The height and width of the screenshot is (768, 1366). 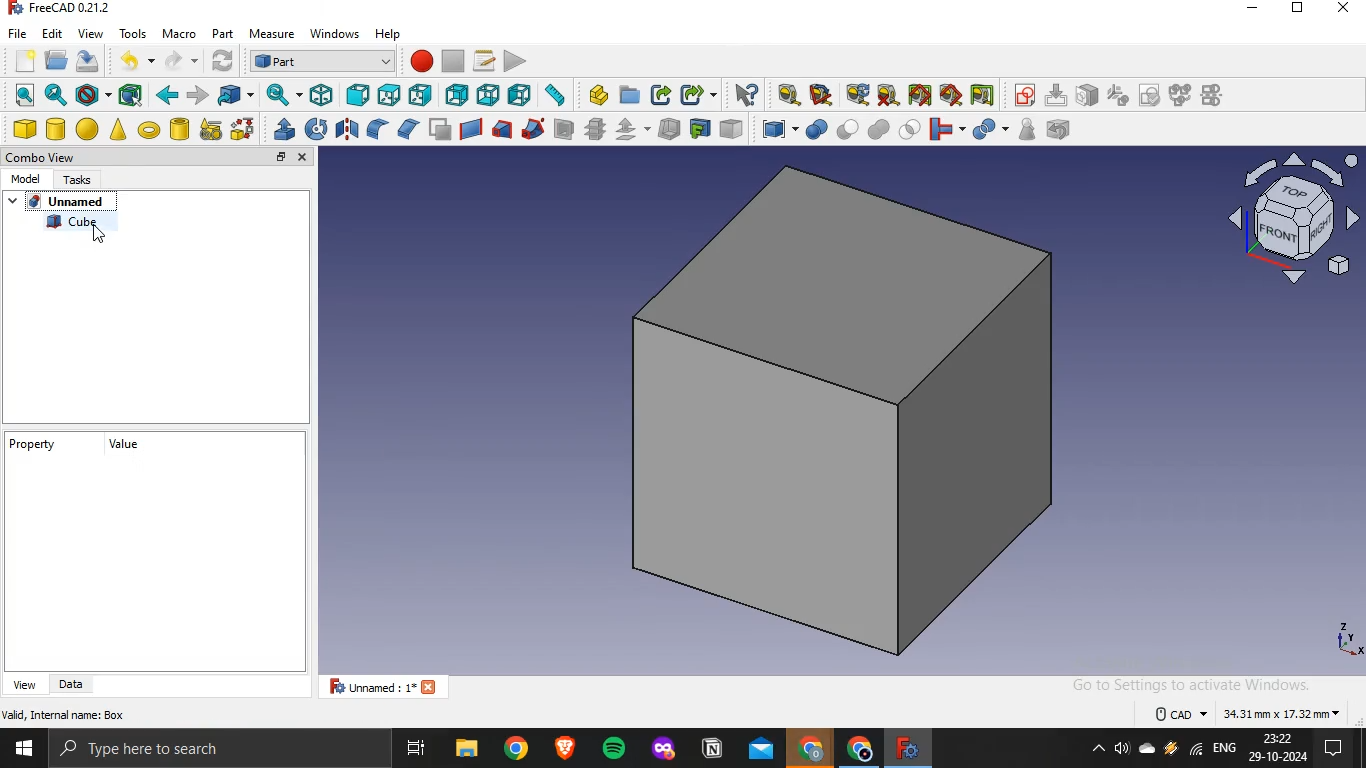 What do you see at coordinates (1297, 10) in the screenshot?
I see `restore down` at bounding box center [1297, 10].